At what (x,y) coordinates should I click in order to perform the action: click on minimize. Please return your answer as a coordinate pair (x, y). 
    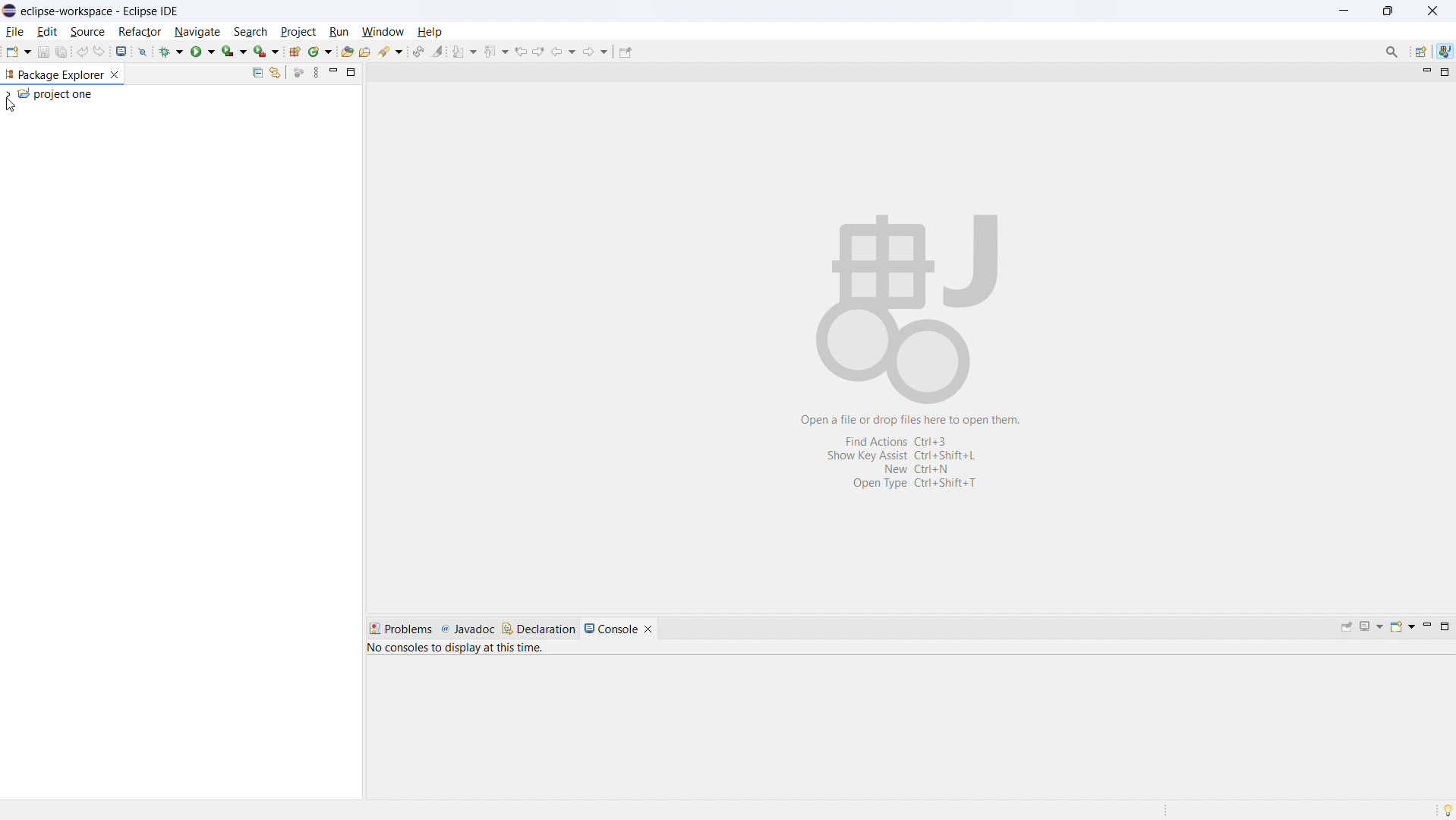
    Looking at the image, I should click on (1423, 71).